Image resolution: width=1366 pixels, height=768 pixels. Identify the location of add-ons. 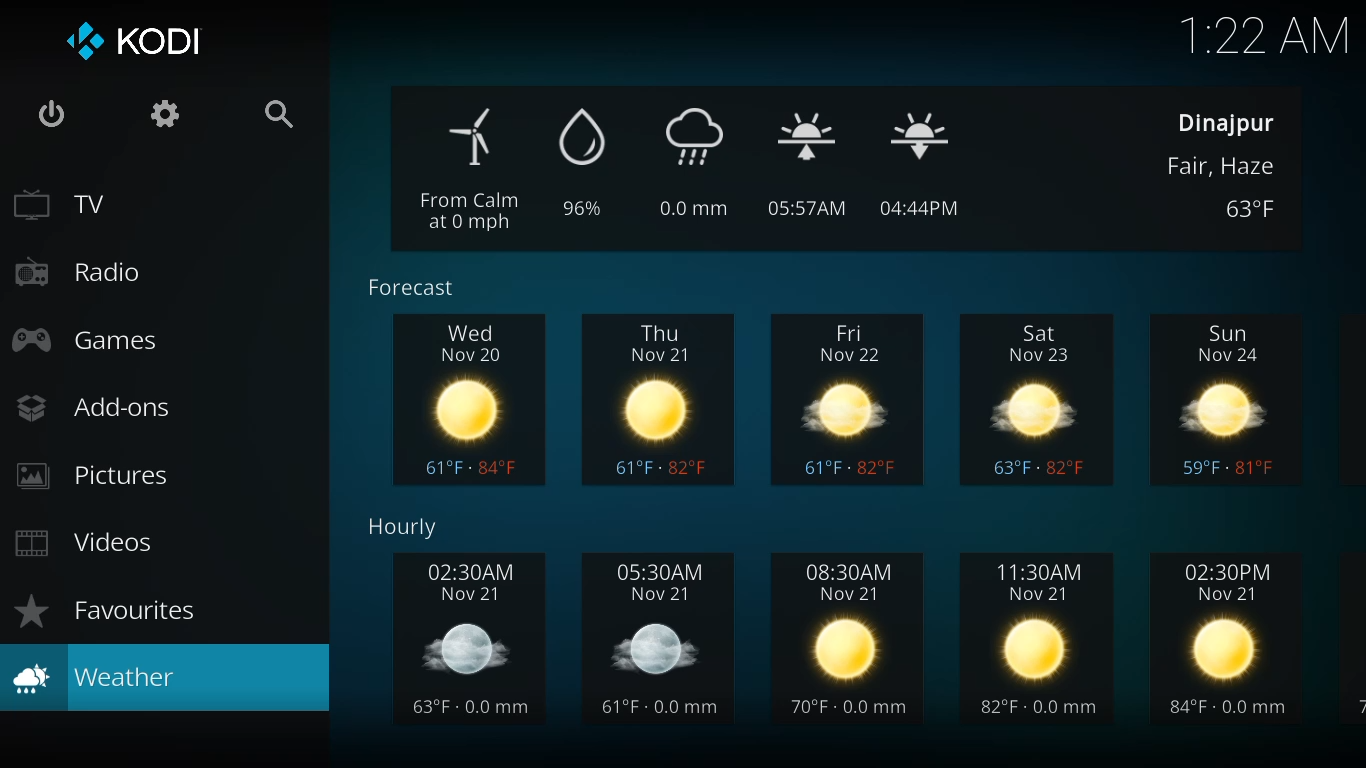
(94, 407).